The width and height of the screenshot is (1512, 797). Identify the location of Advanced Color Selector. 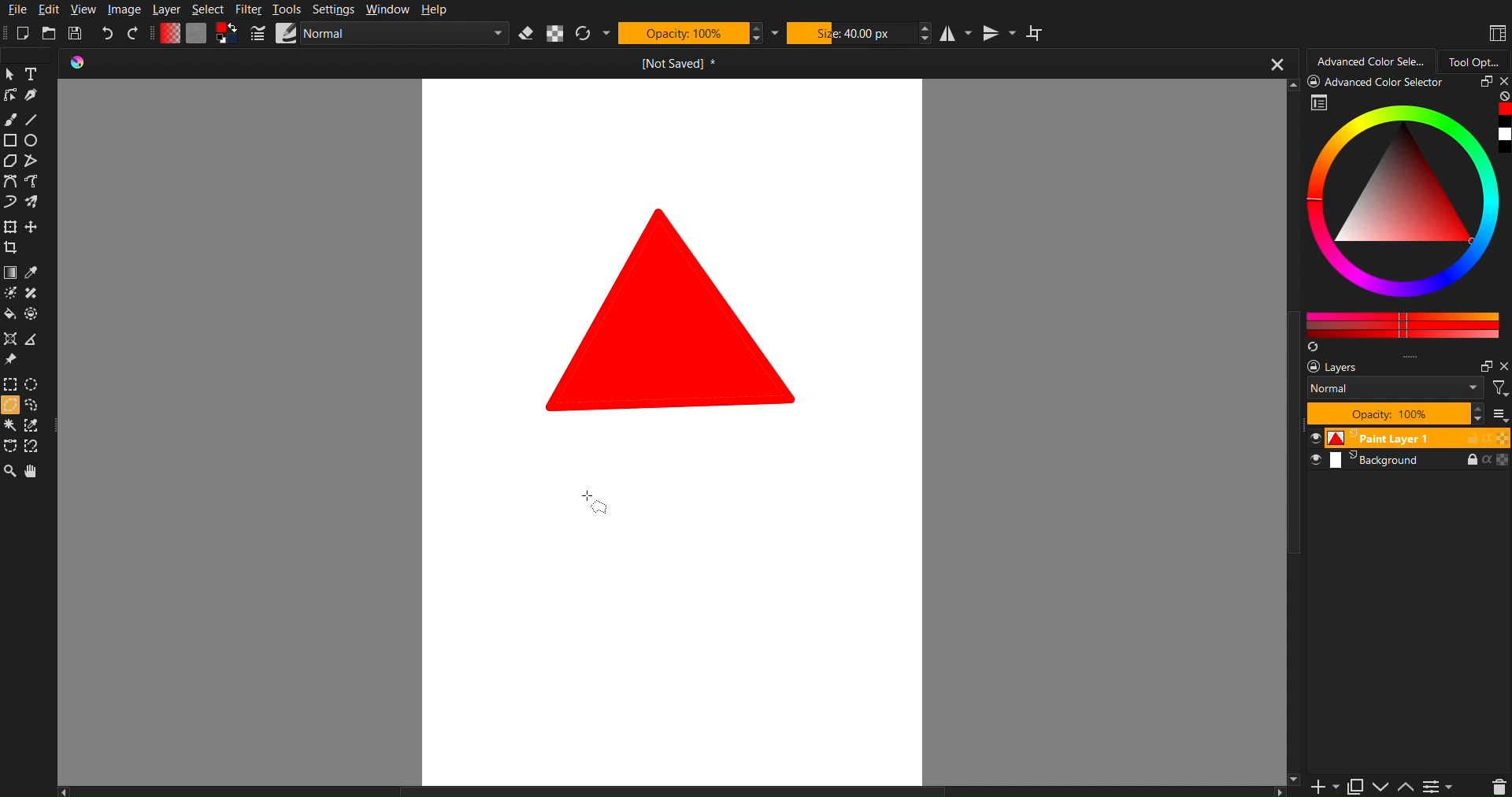
(1404, 213).